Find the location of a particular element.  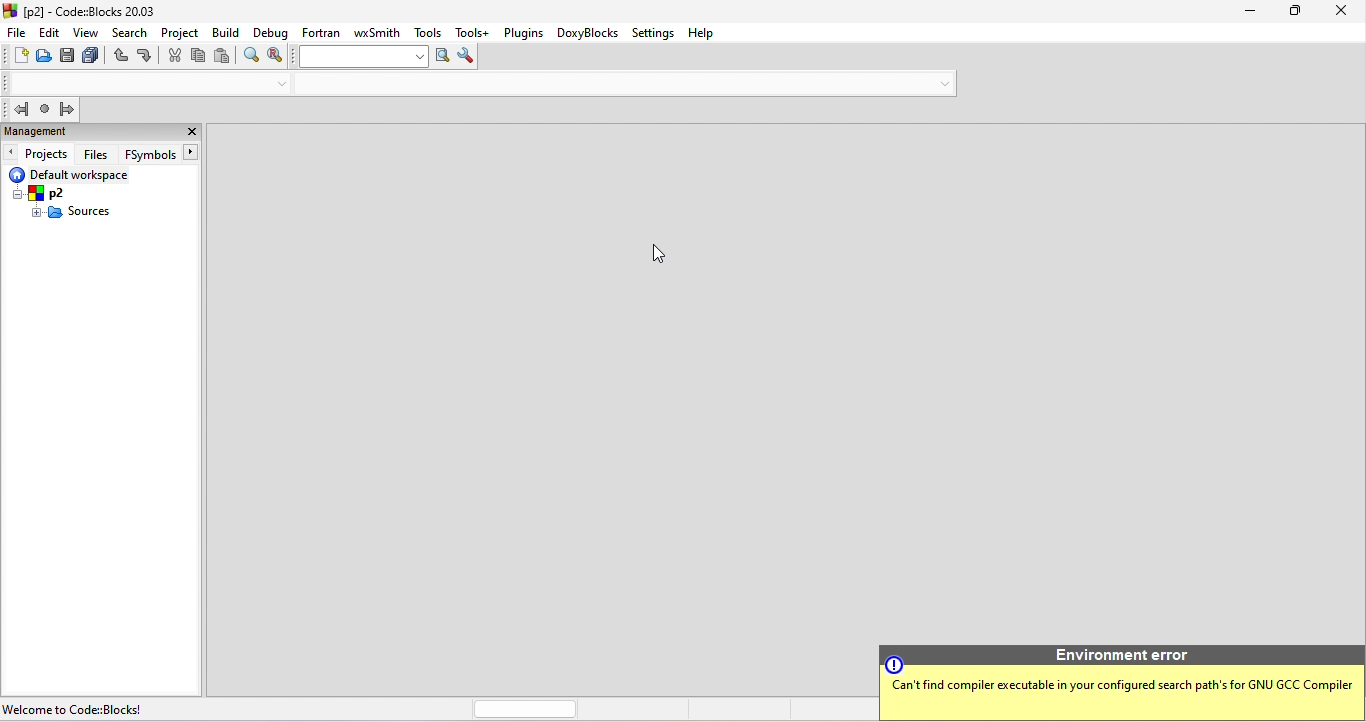

sources is located at coordinates (70, 211).